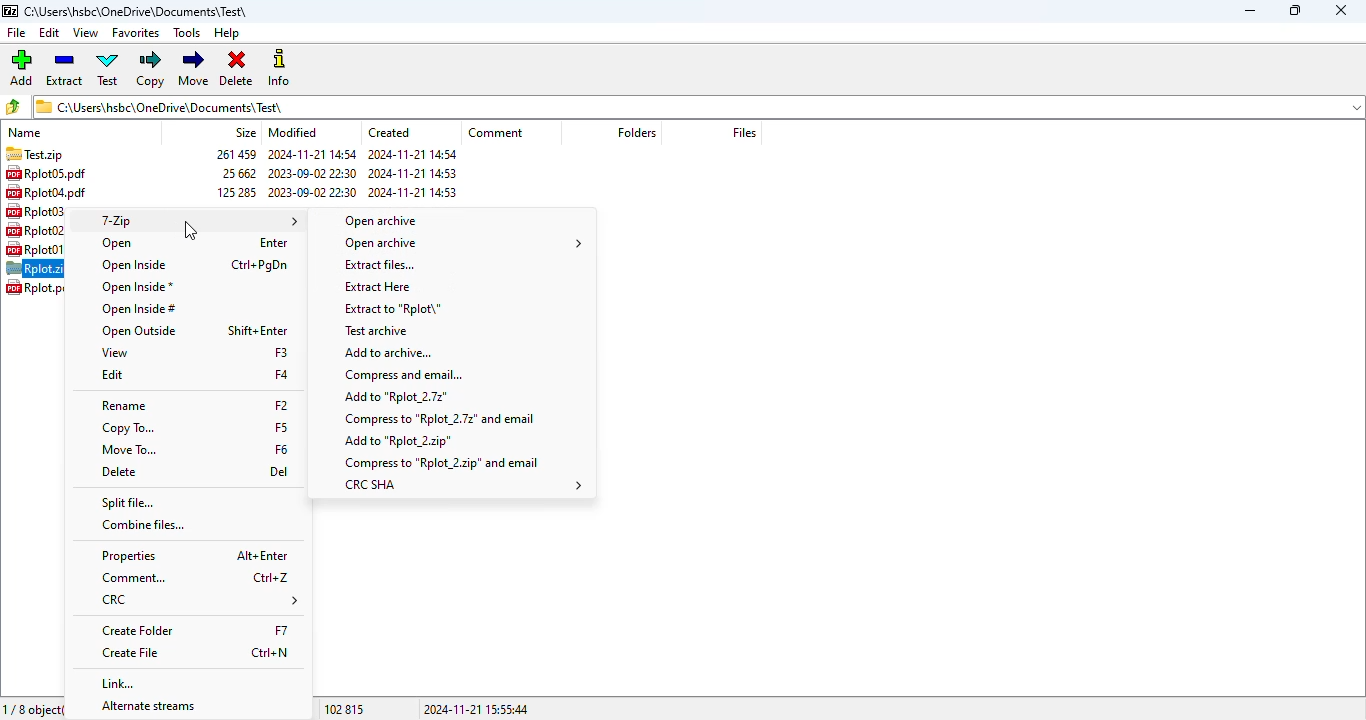 The width and height of the screenshot is (1366, 720). What do you see at coordinates (150, 68) in the screenshot?
I see `copy` at bounding box center [150, 68].